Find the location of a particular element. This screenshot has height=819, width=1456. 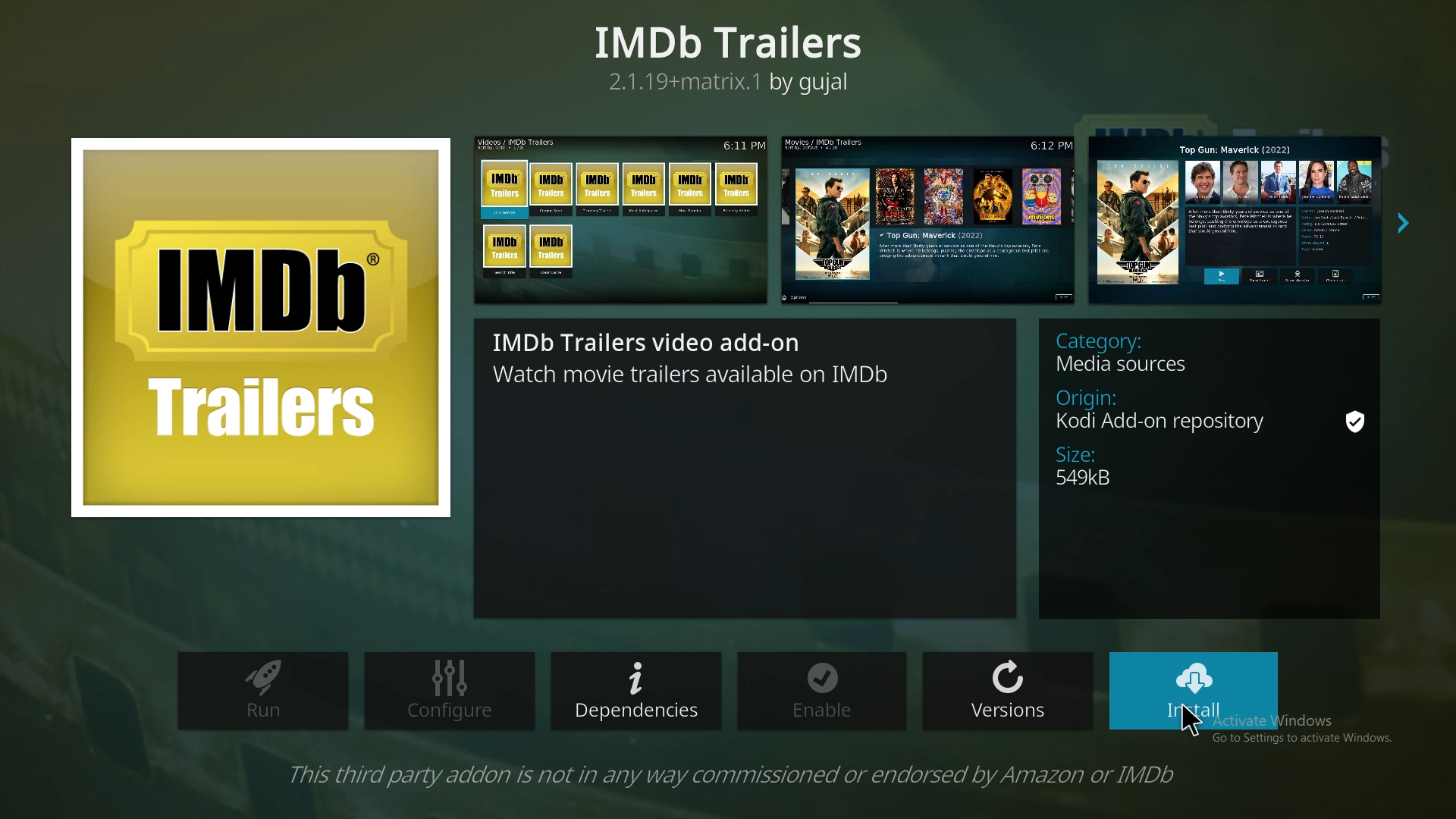

description is located at coordinates (708, 354).